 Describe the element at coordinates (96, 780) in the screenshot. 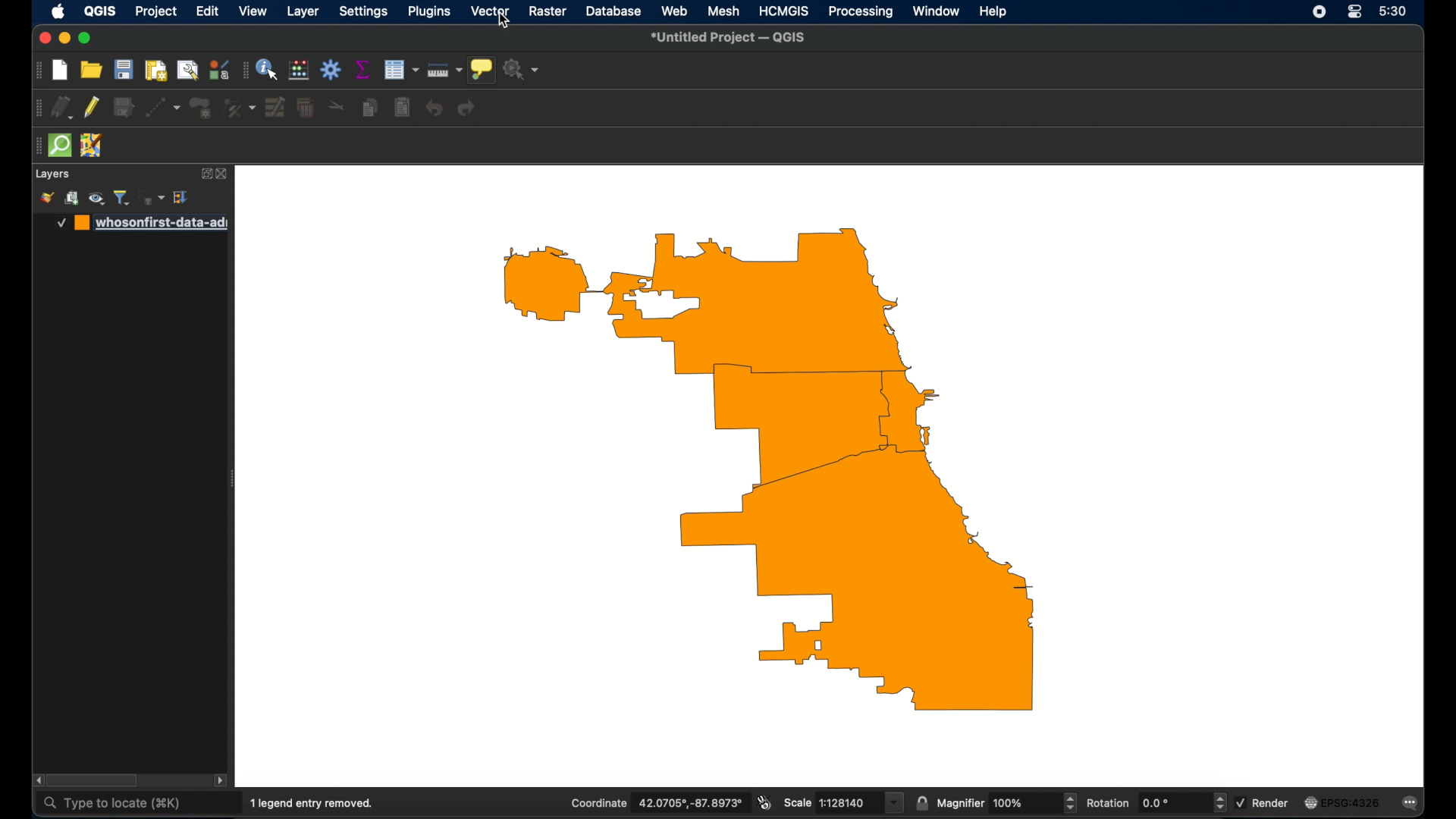

I see `scroll box` at that location.